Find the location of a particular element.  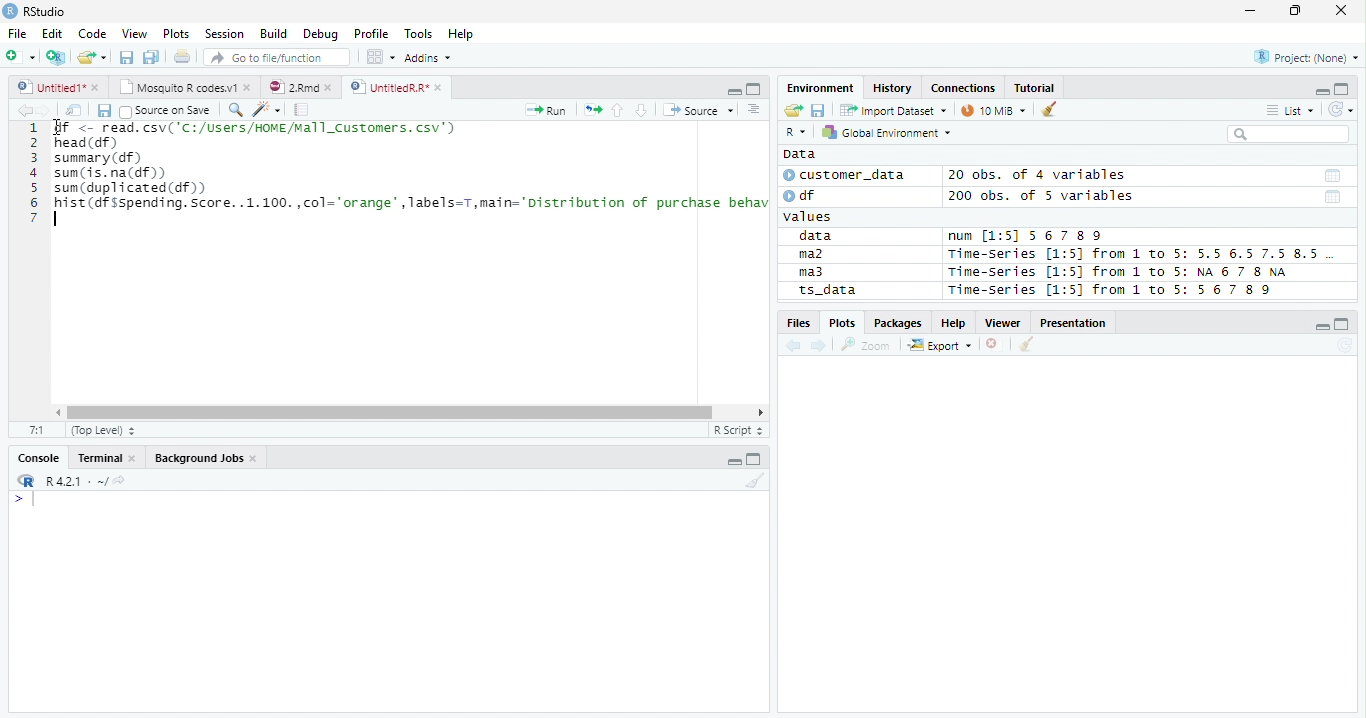

ma3 is located at coordinates (816, 272).